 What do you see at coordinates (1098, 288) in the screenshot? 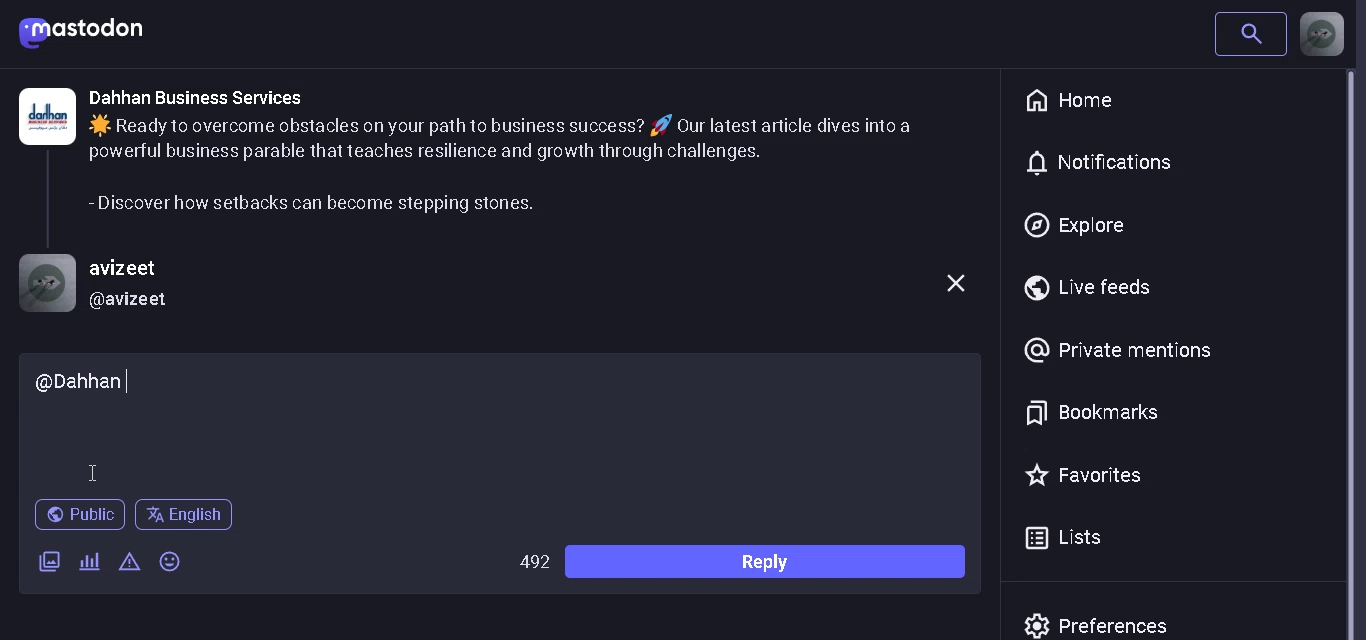
I see `live feeds` at bounding box center [1098, 288].